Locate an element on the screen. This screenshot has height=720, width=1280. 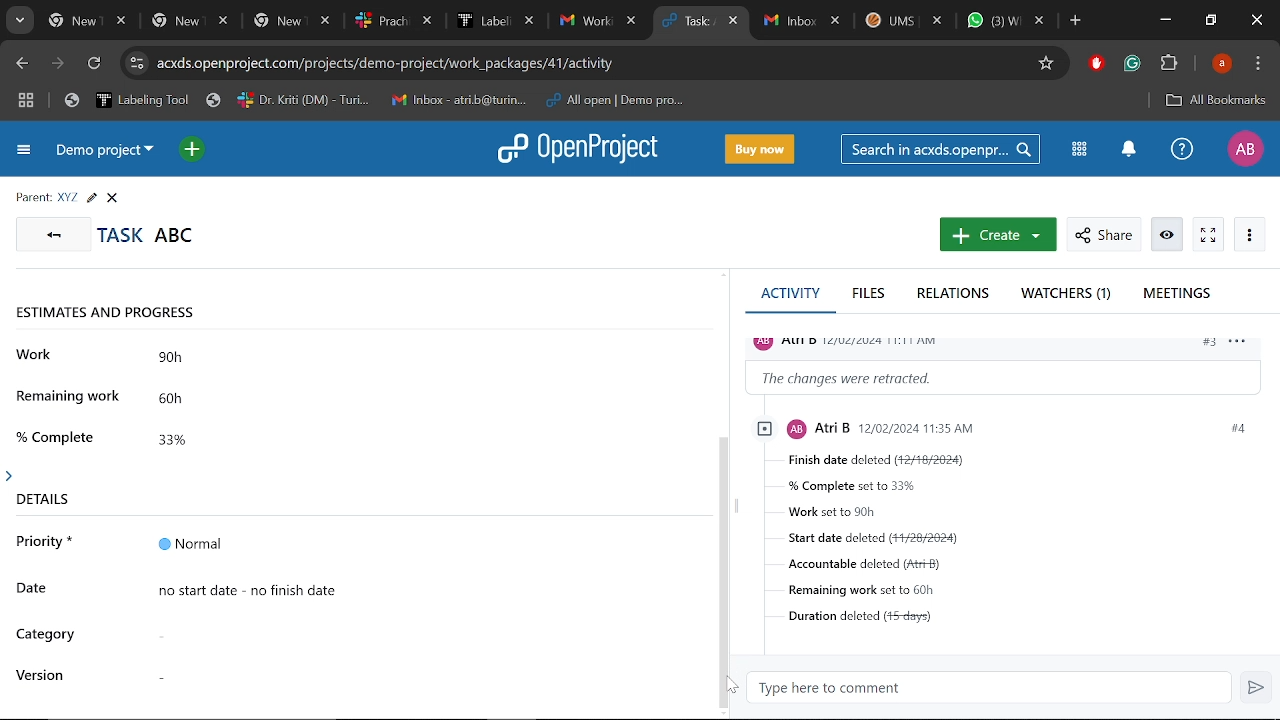
Next page is located at coordinates (60, 65).